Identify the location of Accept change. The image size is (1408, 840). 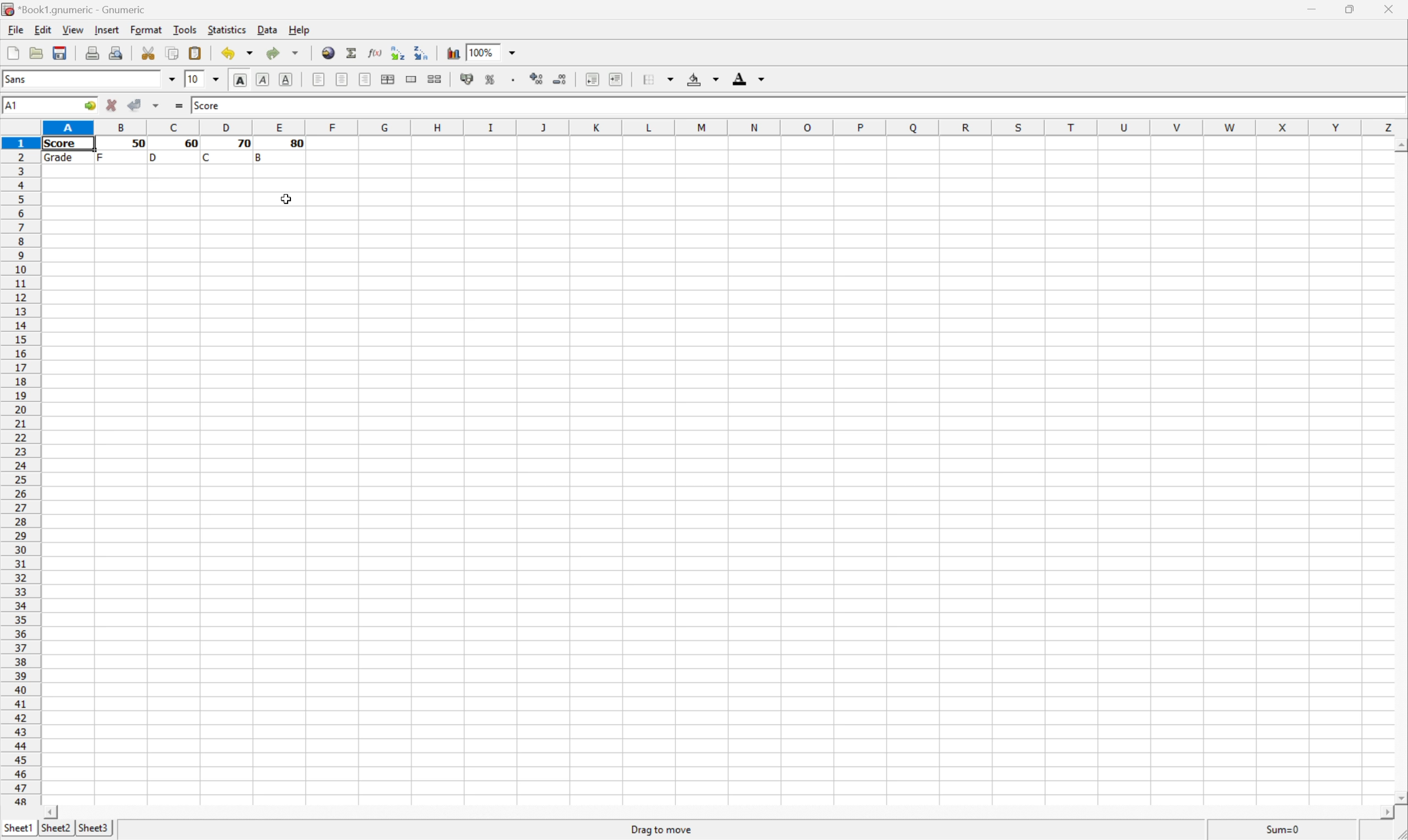
(134, 104).